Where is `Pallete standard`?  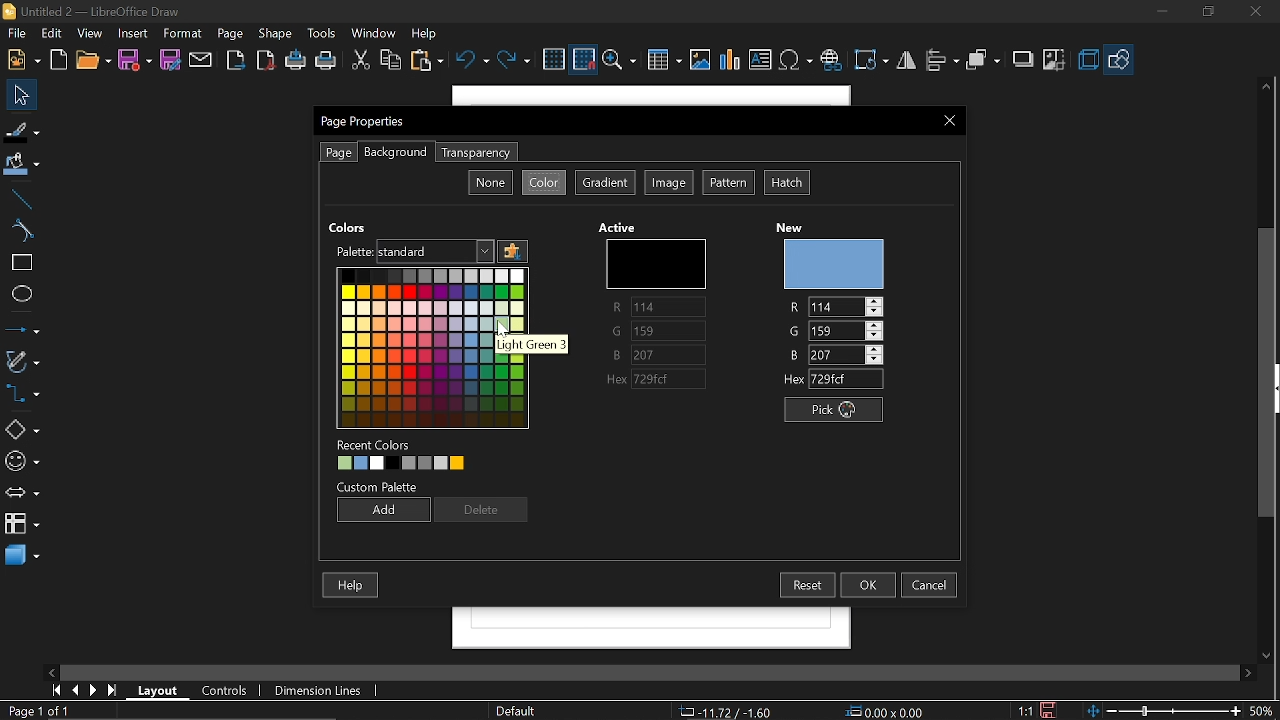
Pallete standard is located at coordinates (437, 251).